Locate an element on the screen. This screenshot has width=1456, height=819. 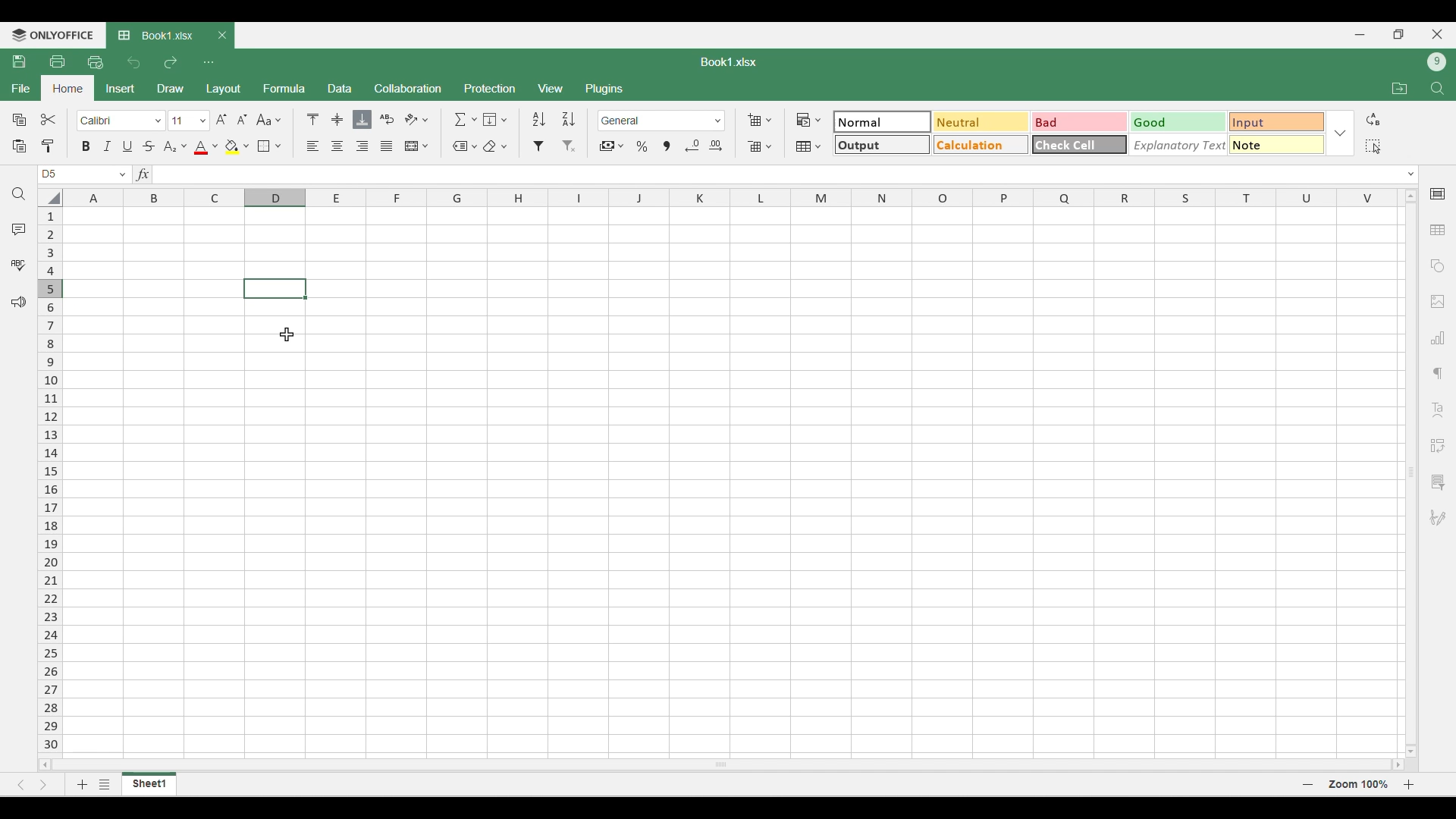
Underline is located at coordinates (127, 146).